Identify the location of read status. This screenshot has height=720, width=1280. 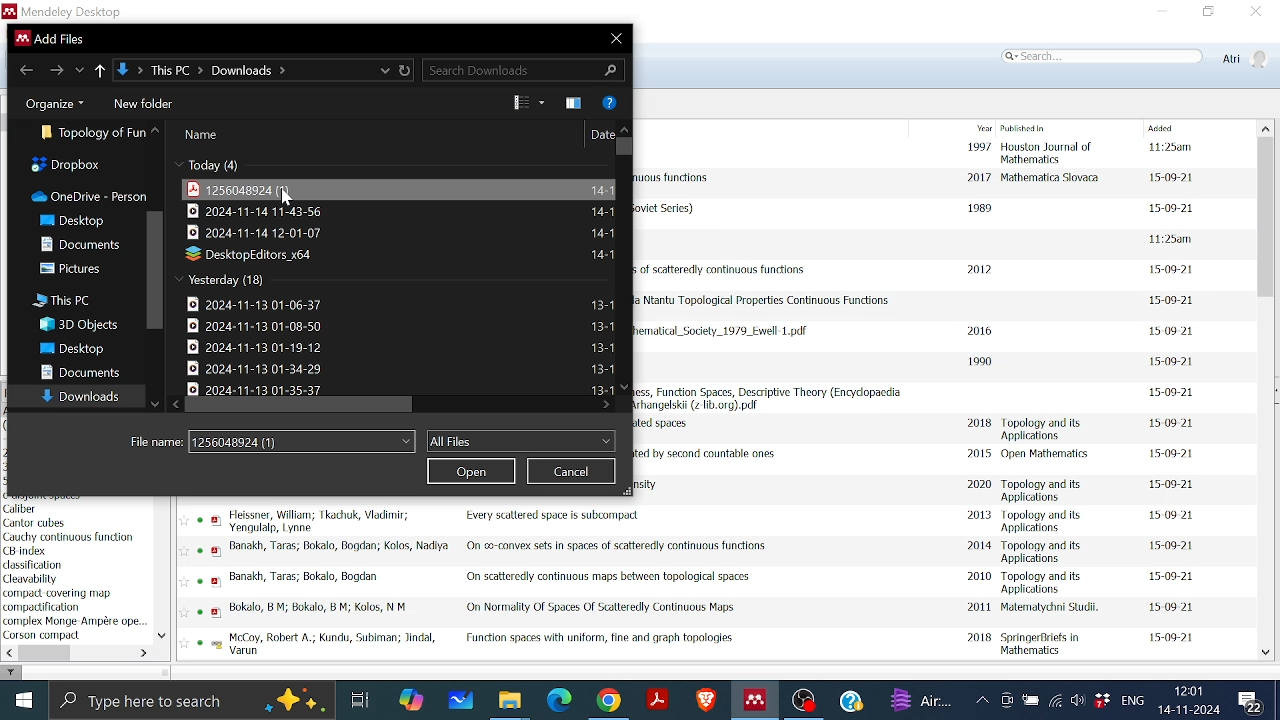
(204, 612).